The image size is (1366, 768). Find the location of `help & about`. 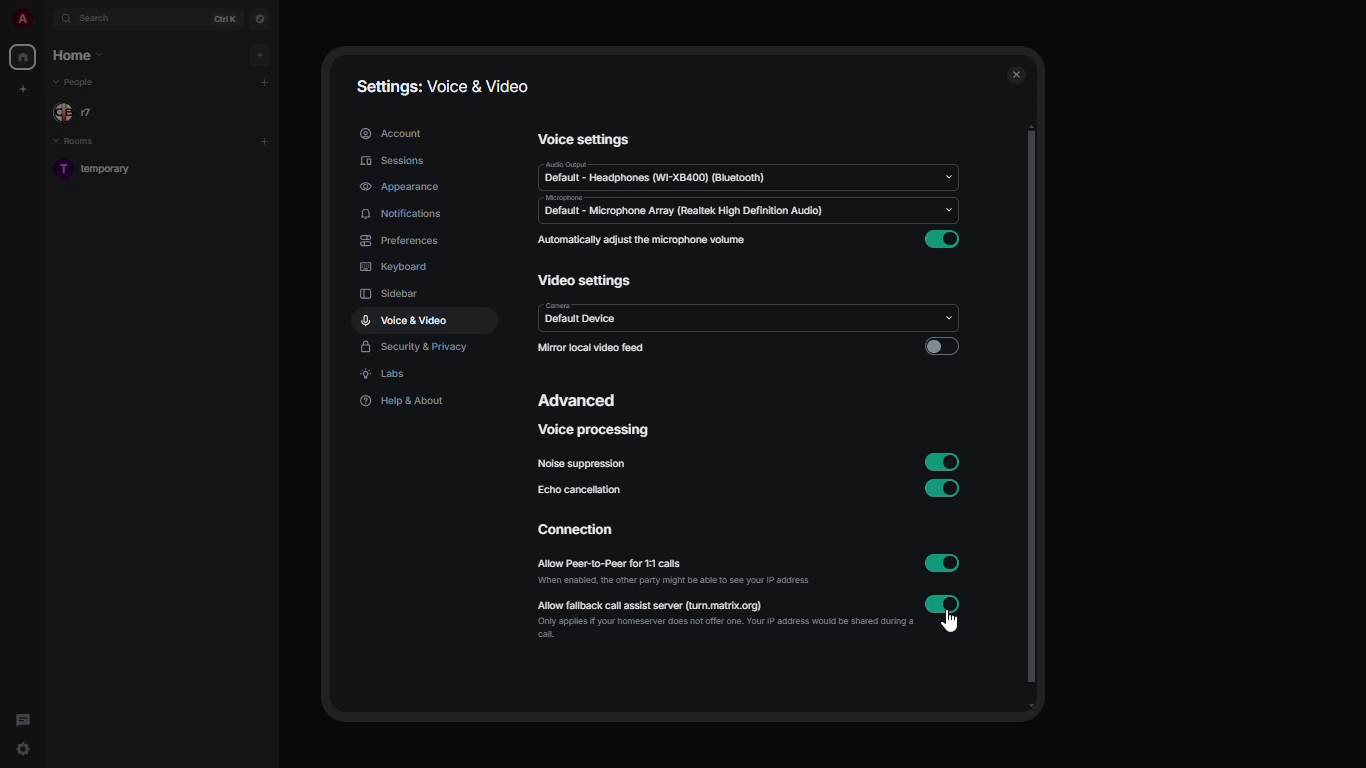

help & about is located at coordinates (405, 402).